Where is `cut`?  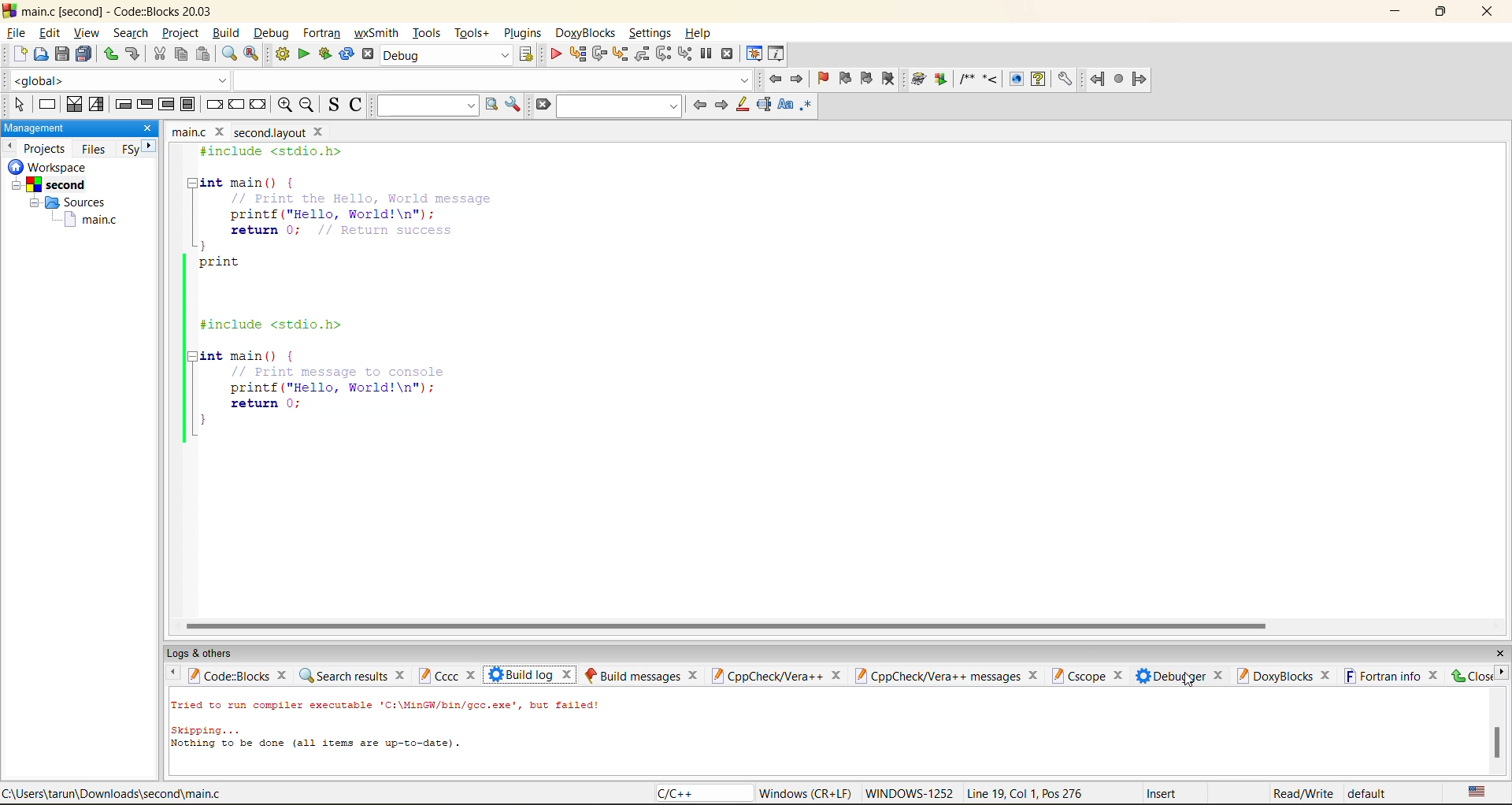 cut is located at coordinates (159, 54).